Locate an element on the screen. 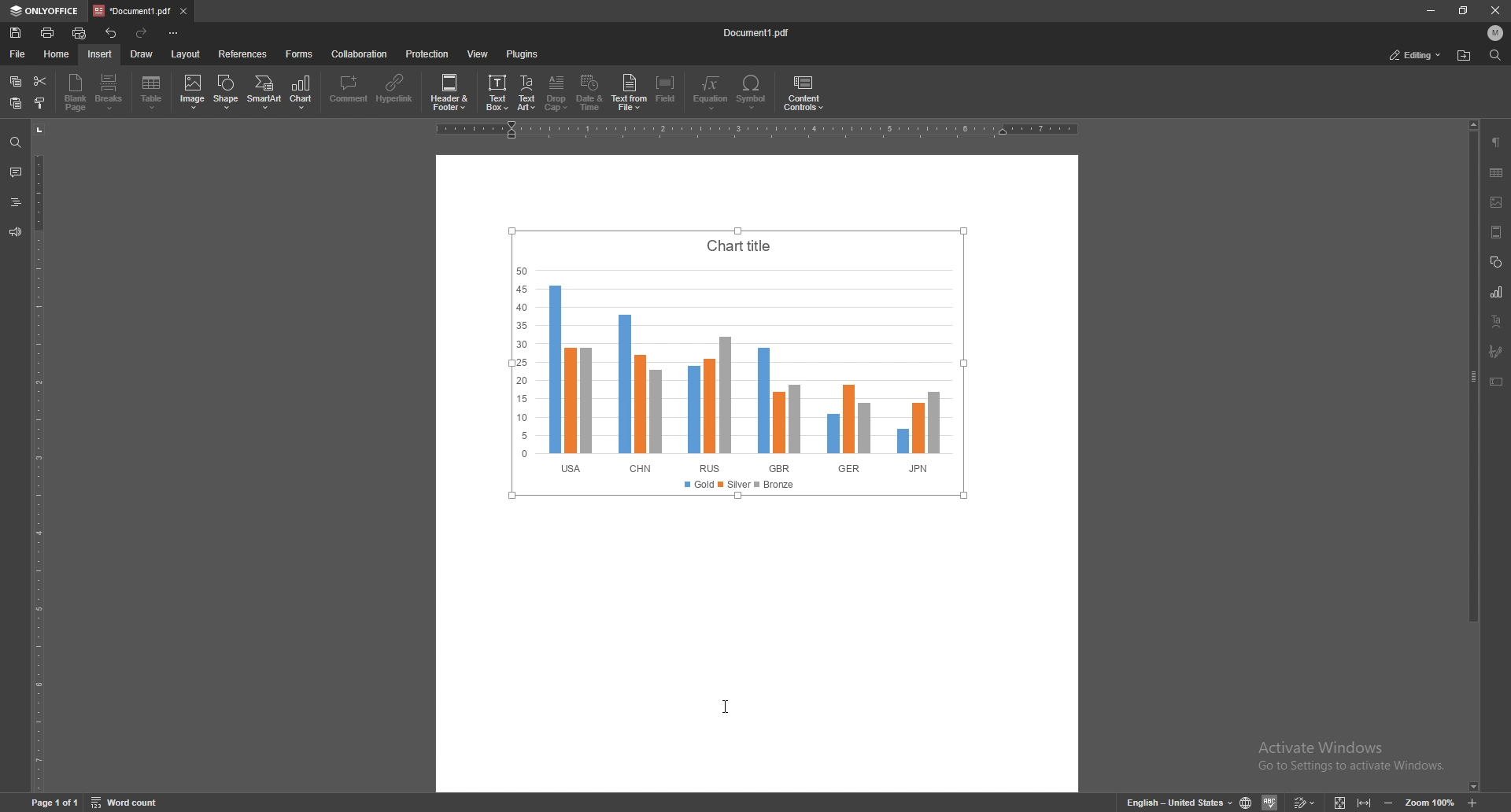  chart is located at coordinates (737, 362).